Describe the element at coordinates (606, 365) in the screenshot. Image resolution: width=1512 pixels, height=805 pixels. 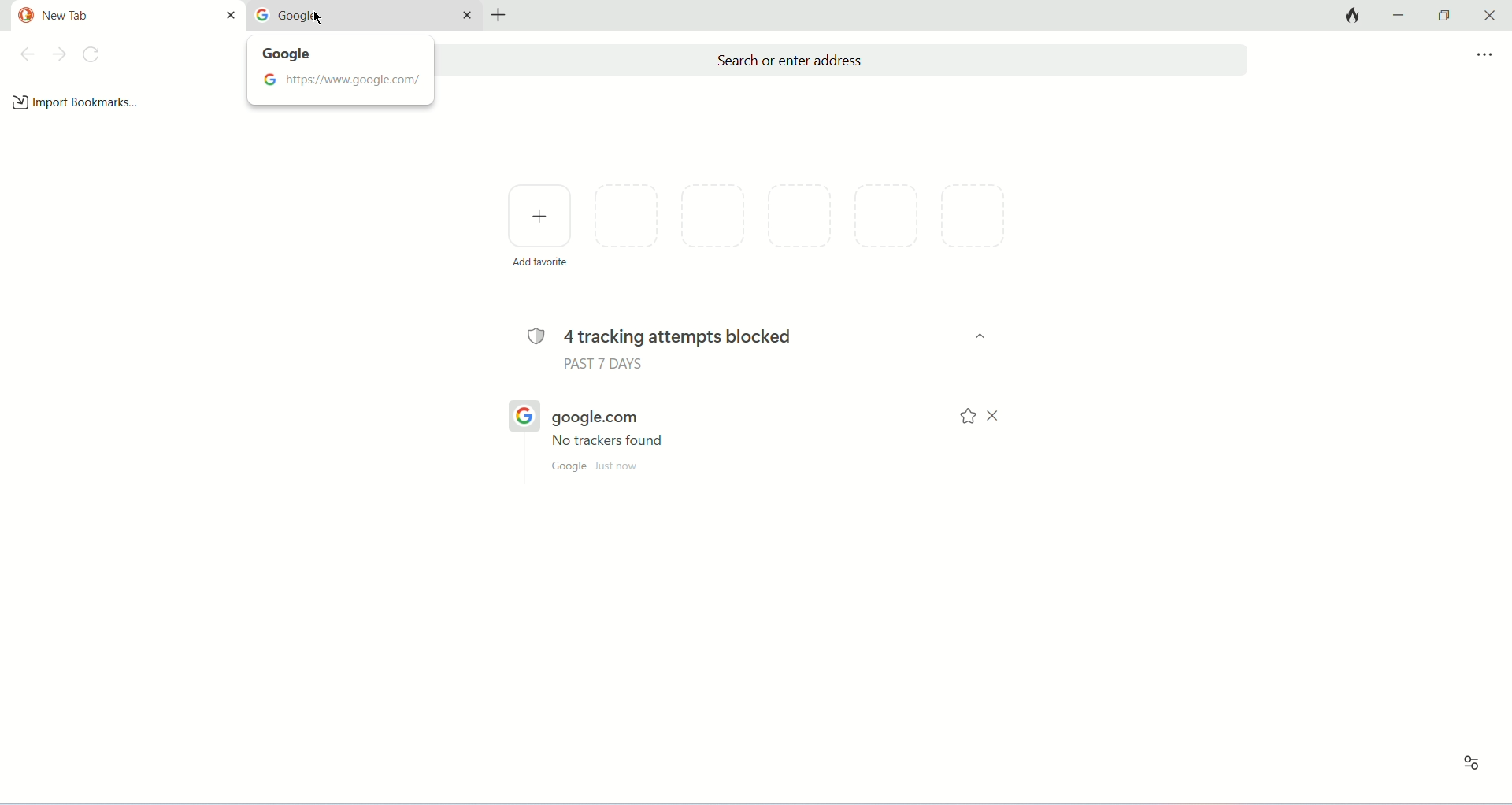
I see `past 7 days` at that location.